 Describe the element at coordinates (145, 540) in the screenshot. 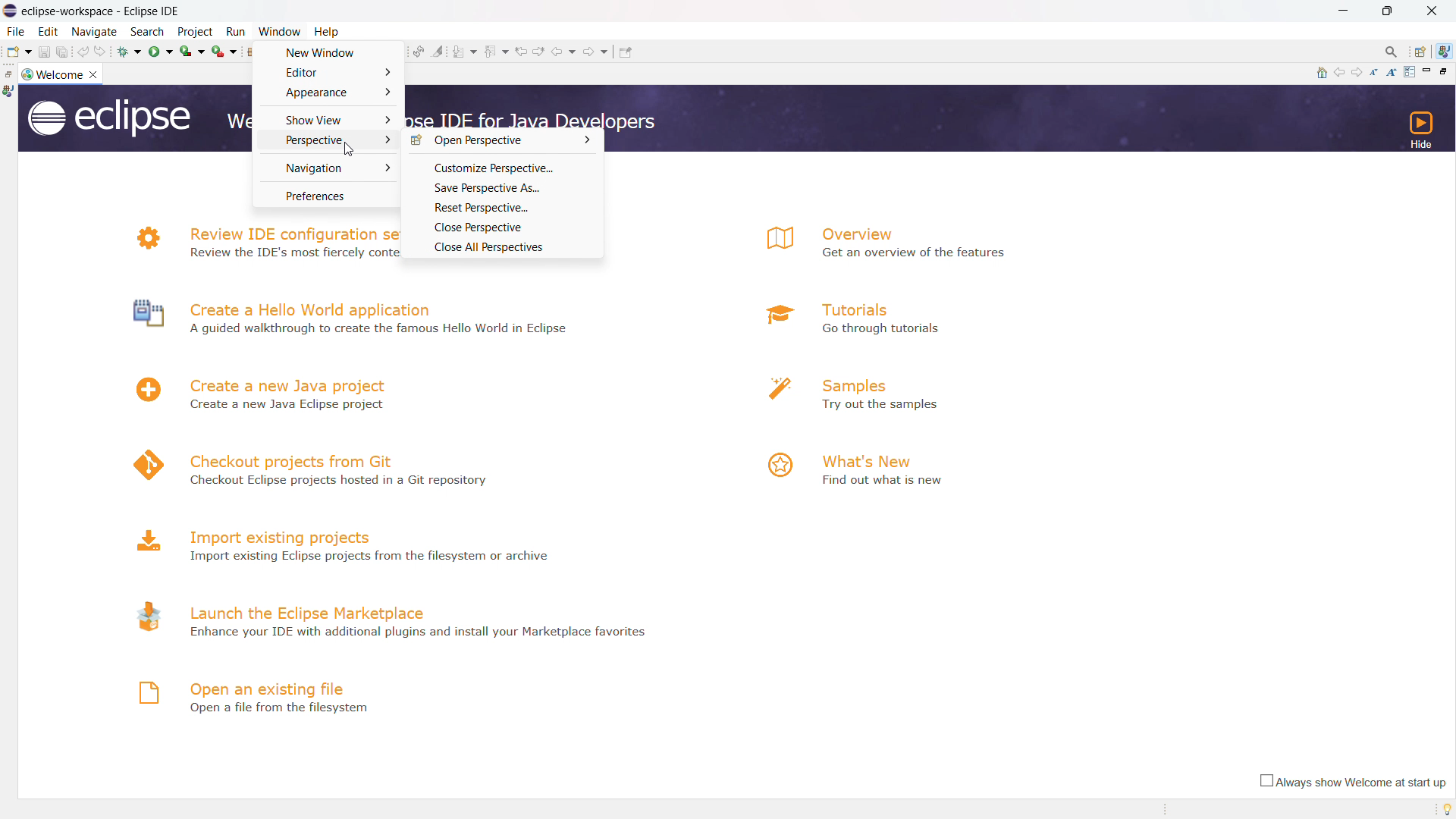

I see `logo` at that location.